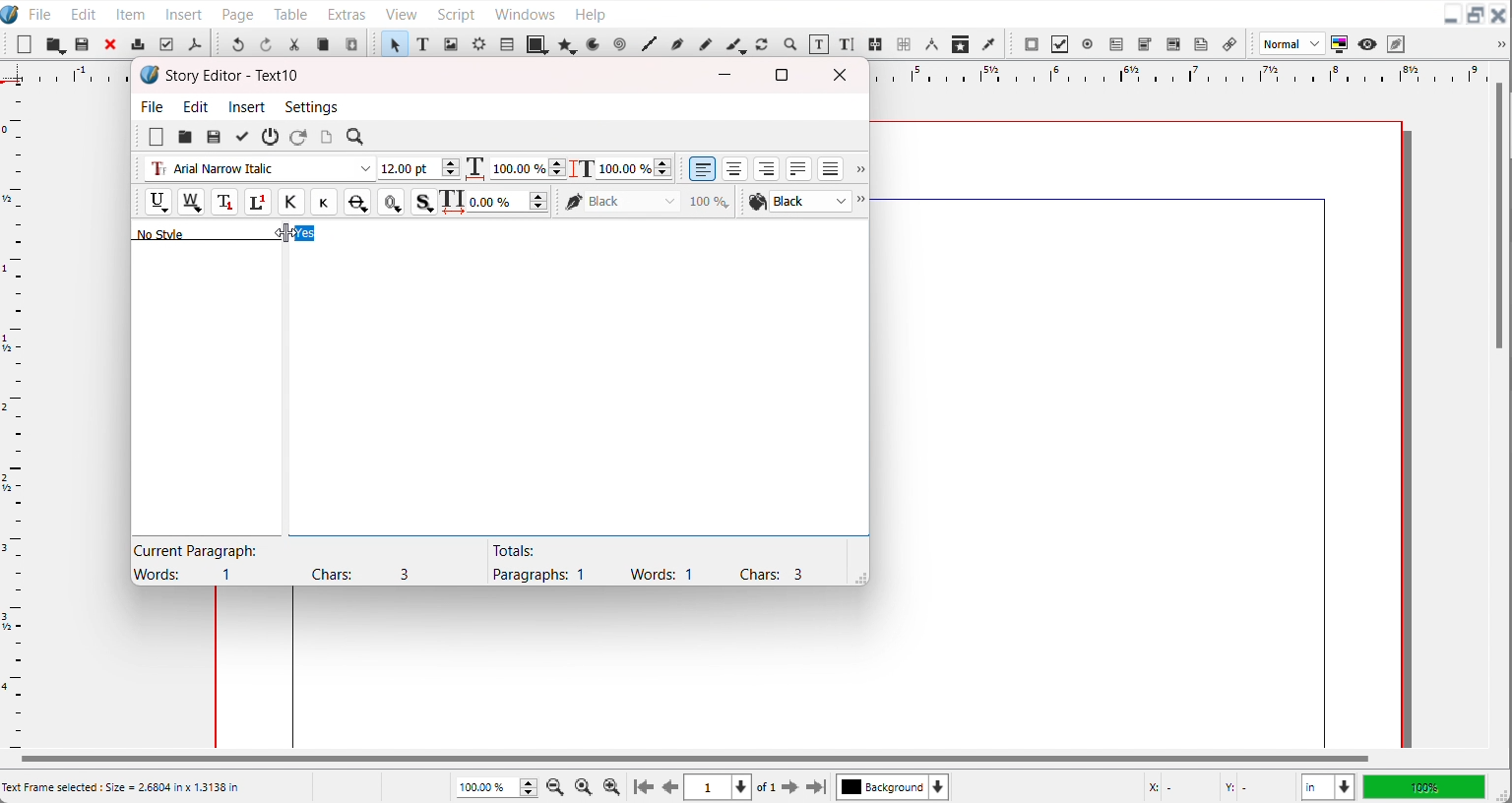  I want to click on Zoom to 100%, so click(585, 785).